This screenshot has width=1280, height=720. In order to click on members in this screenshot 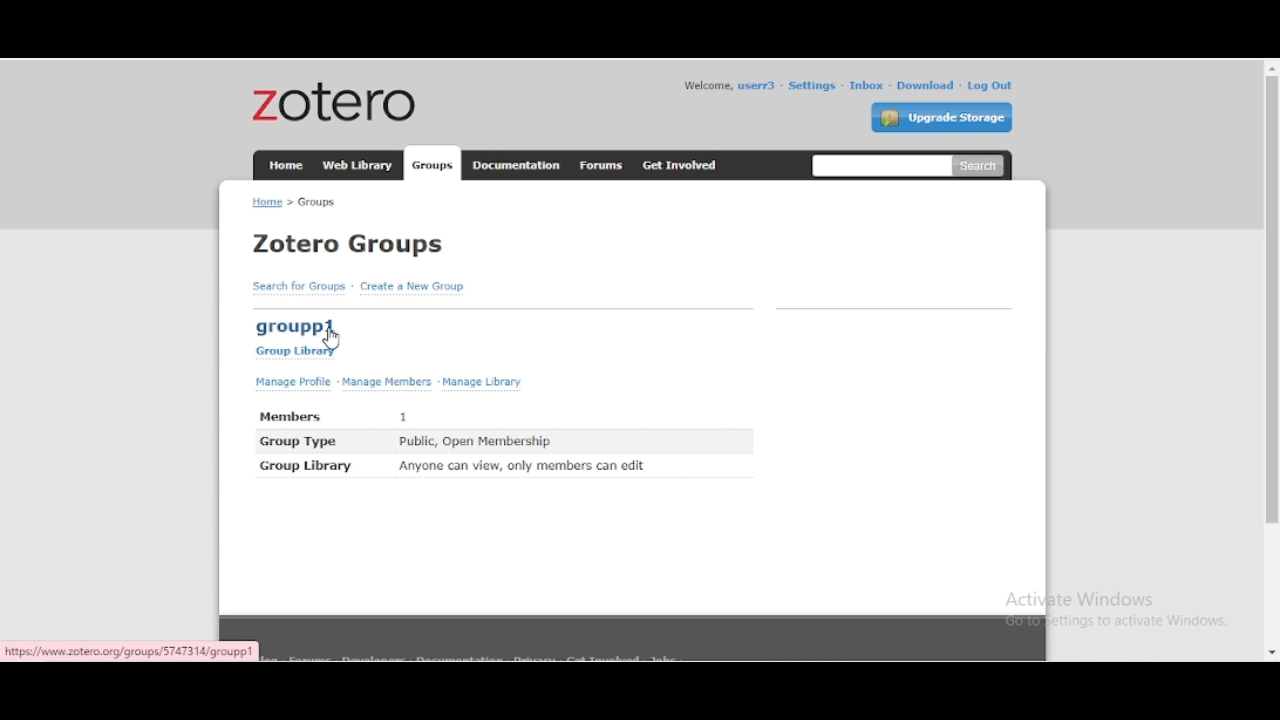, I will do `click(292, 417)`.